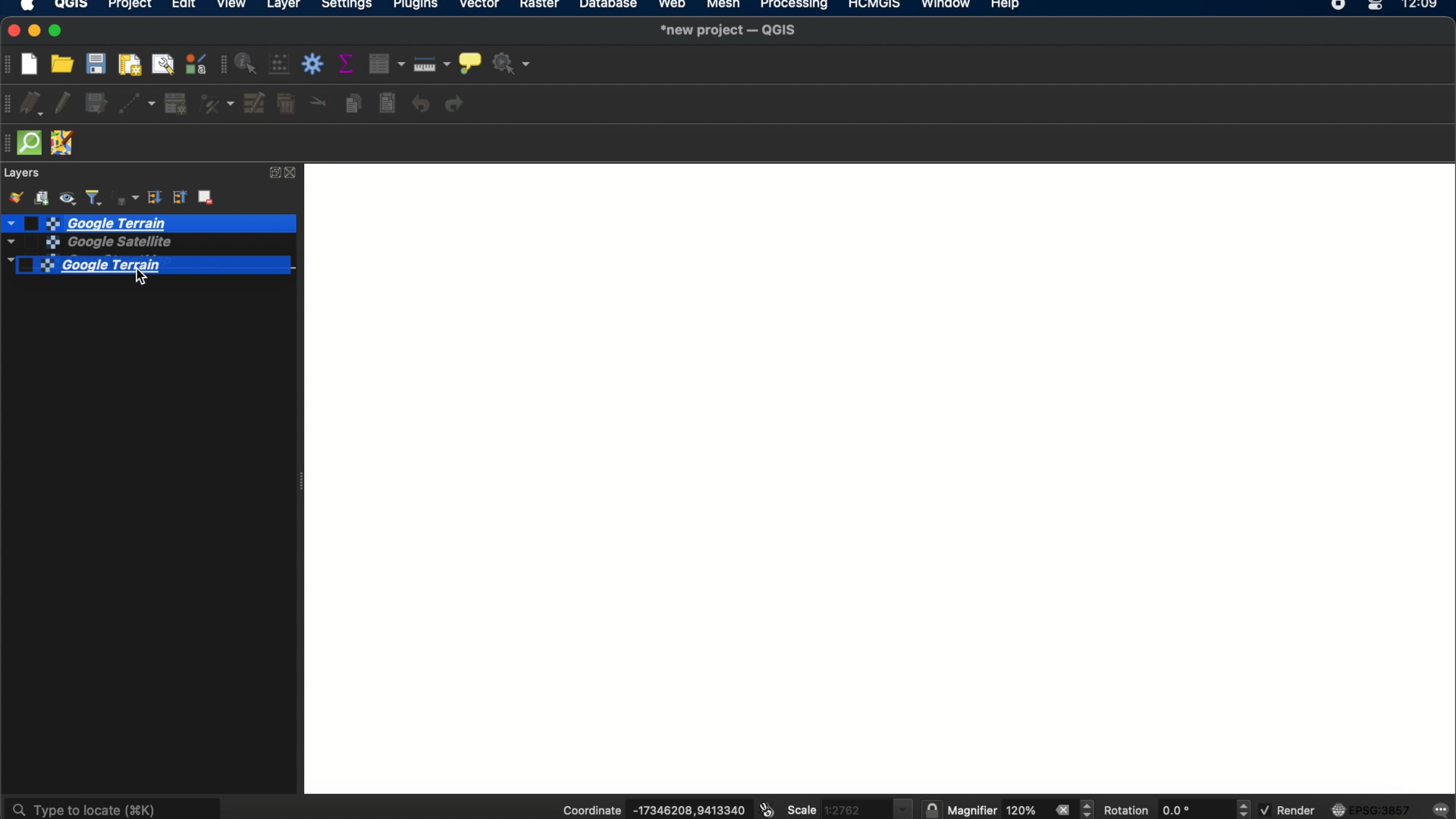  I want to click on scale 1.2762, so click(849, 807).